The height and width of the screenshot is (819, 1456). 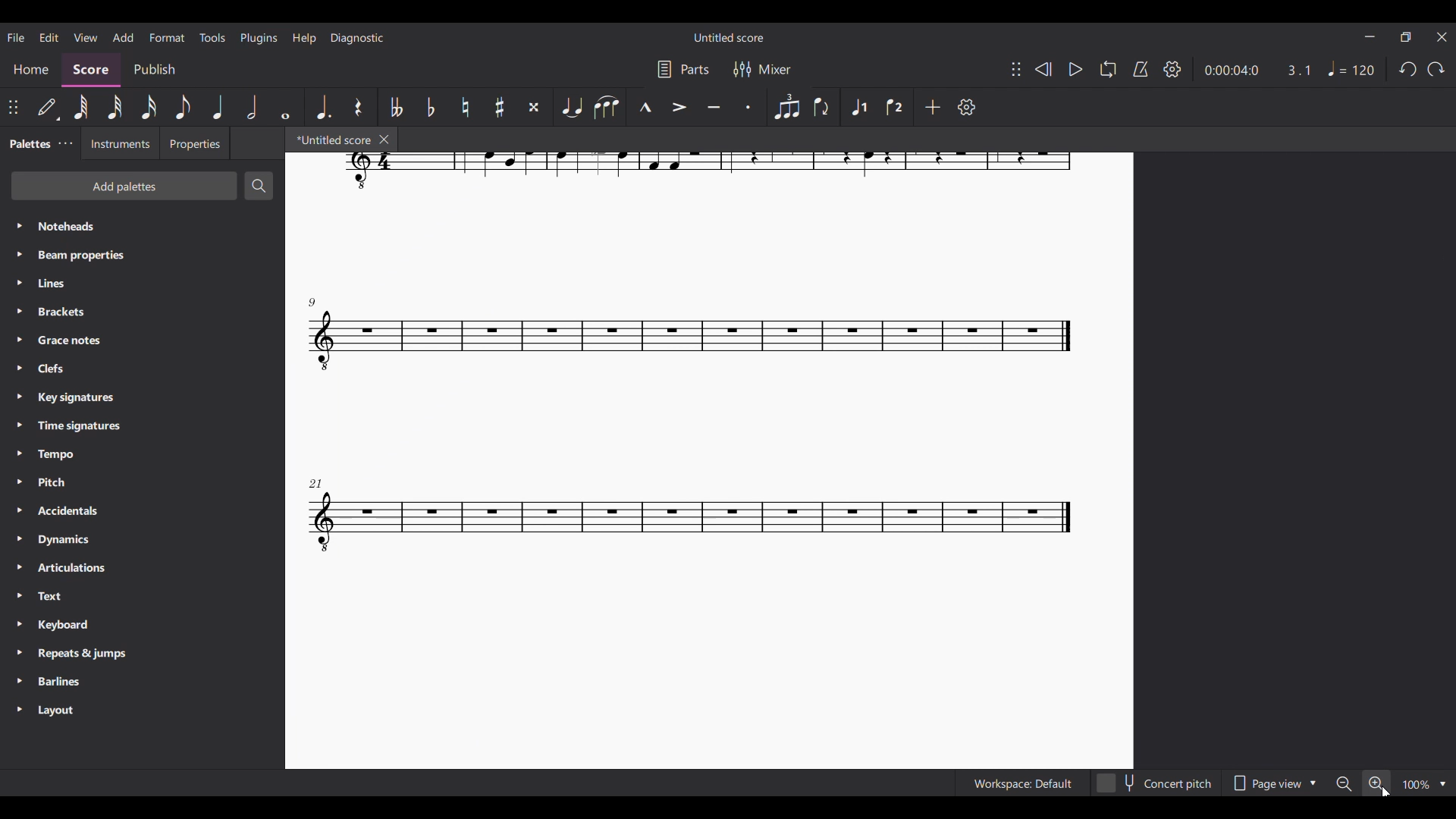 What do you see at coordinates (1439, 784) in the screenshot?
I see `Zoom options` at bounding box center [1439, 784].